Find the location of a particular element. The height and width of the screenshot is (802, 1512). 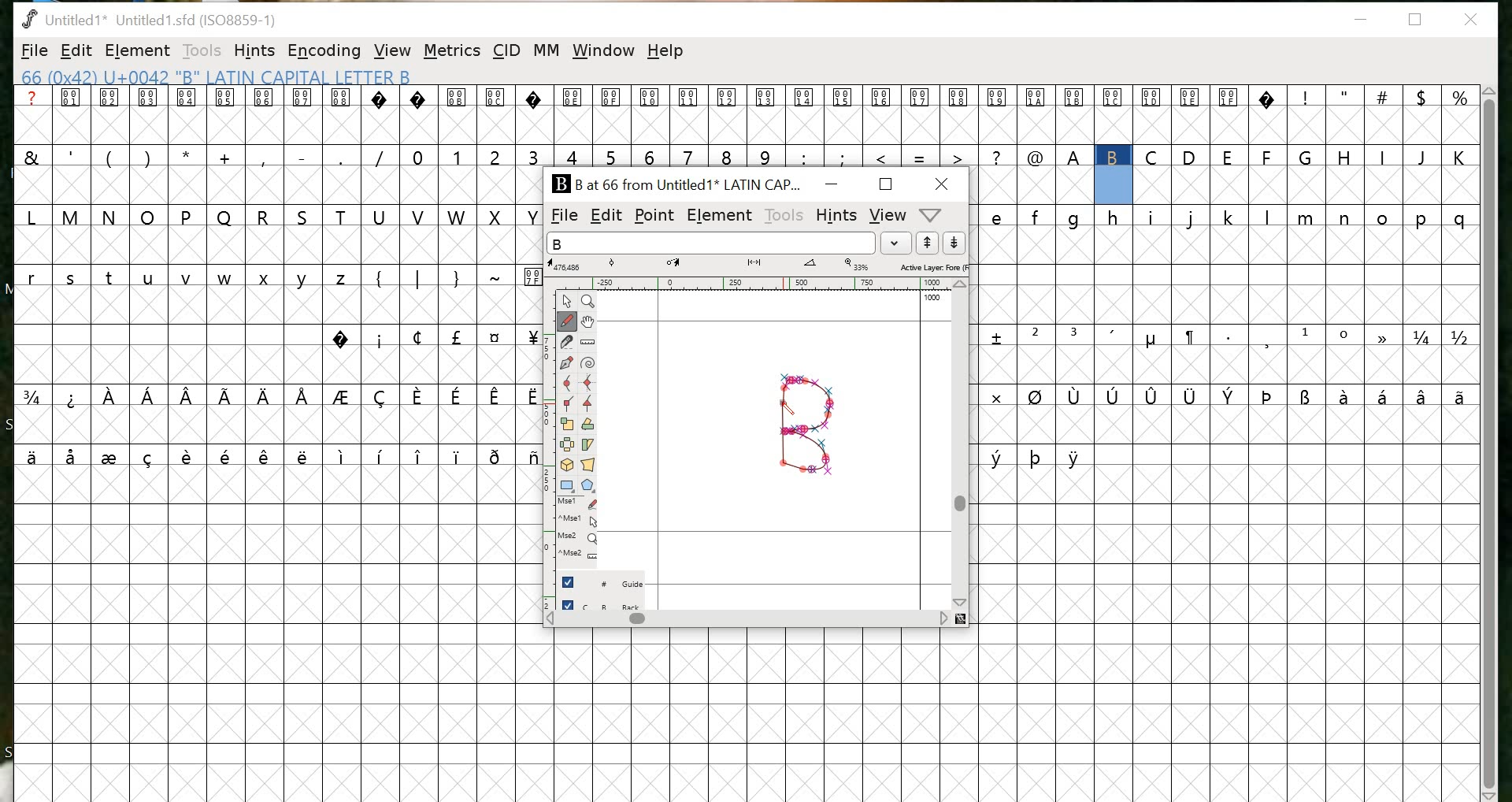

Pen is located at coordinates (568, 365).